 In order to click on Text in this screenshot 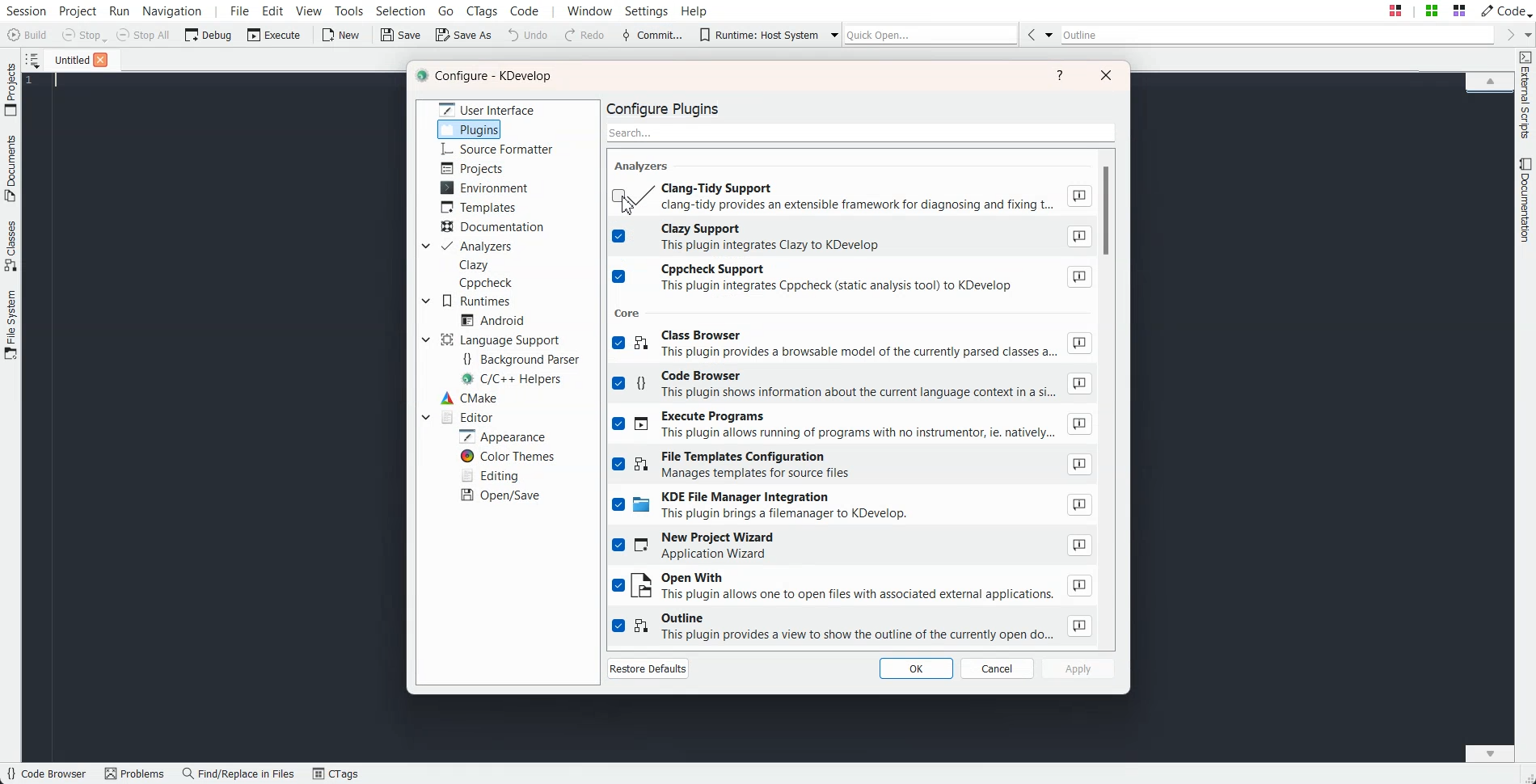, I will do `click(669, 107)`.